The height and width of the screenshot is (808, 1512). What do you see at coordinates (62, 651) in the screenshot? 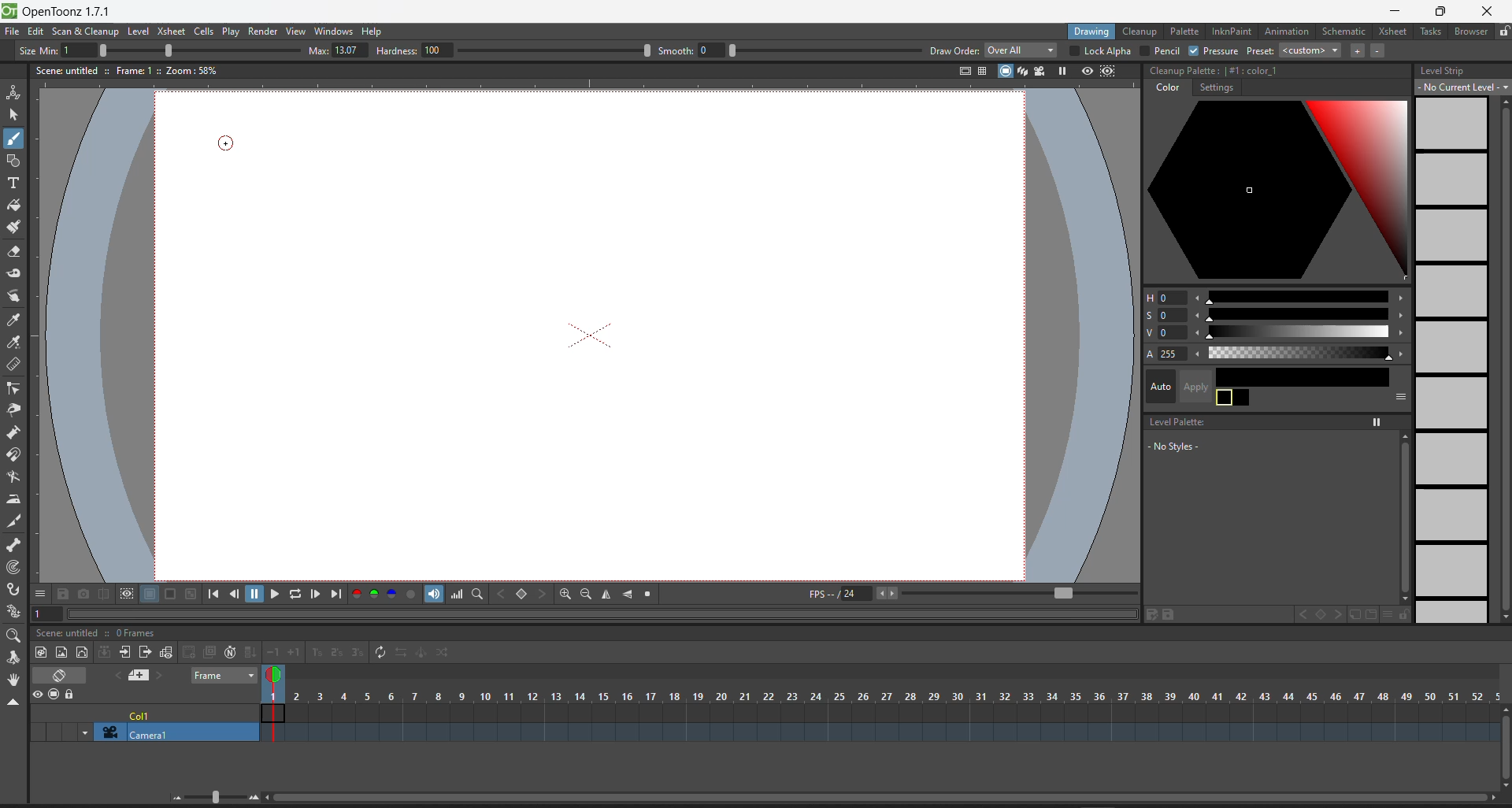
I see `new raster level` at bounding box center [62, 651].